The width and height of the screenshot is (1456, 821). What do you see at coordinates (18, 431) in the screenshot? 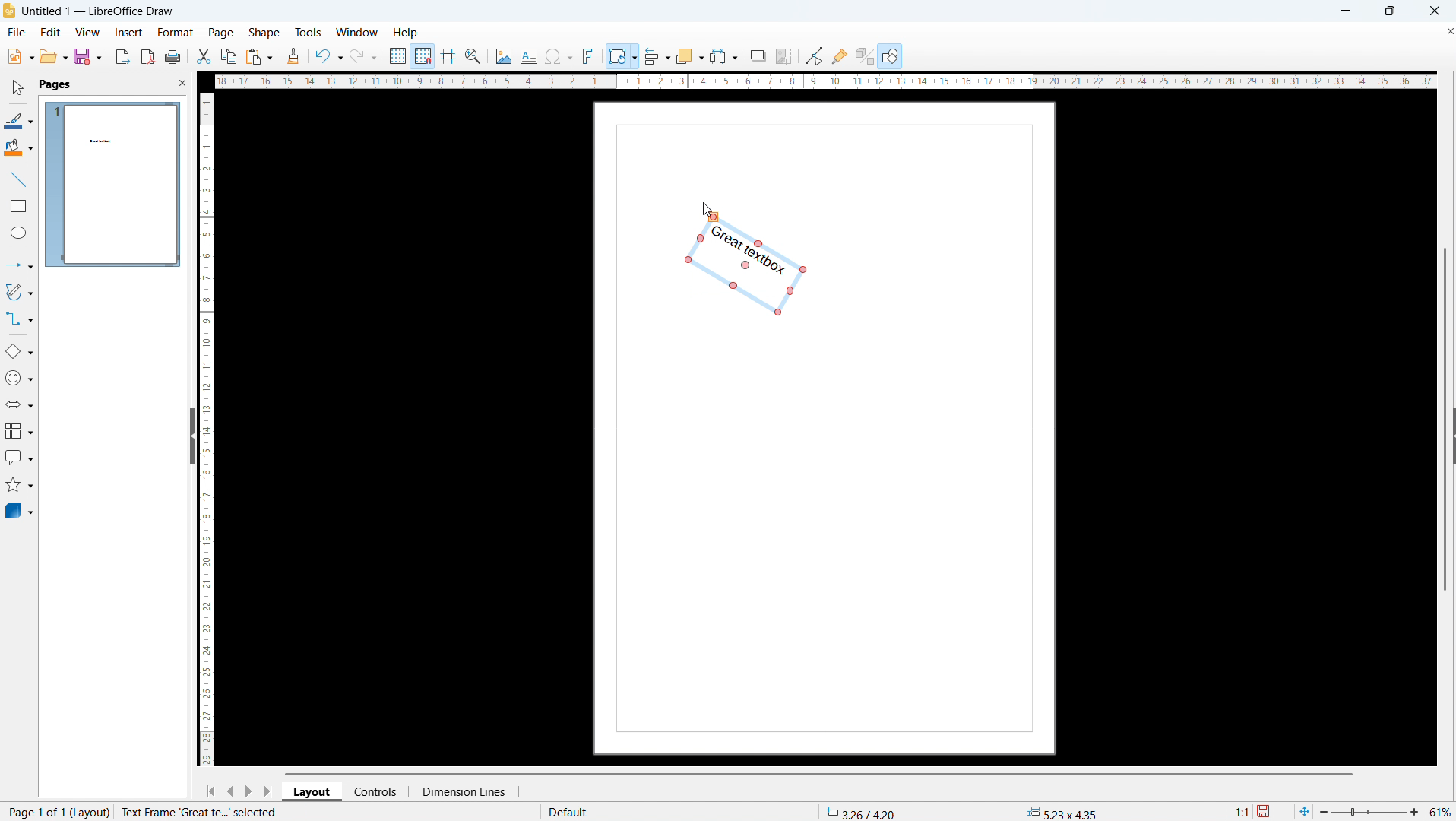
I see `flowcharts` at bounding box center [18, 431].